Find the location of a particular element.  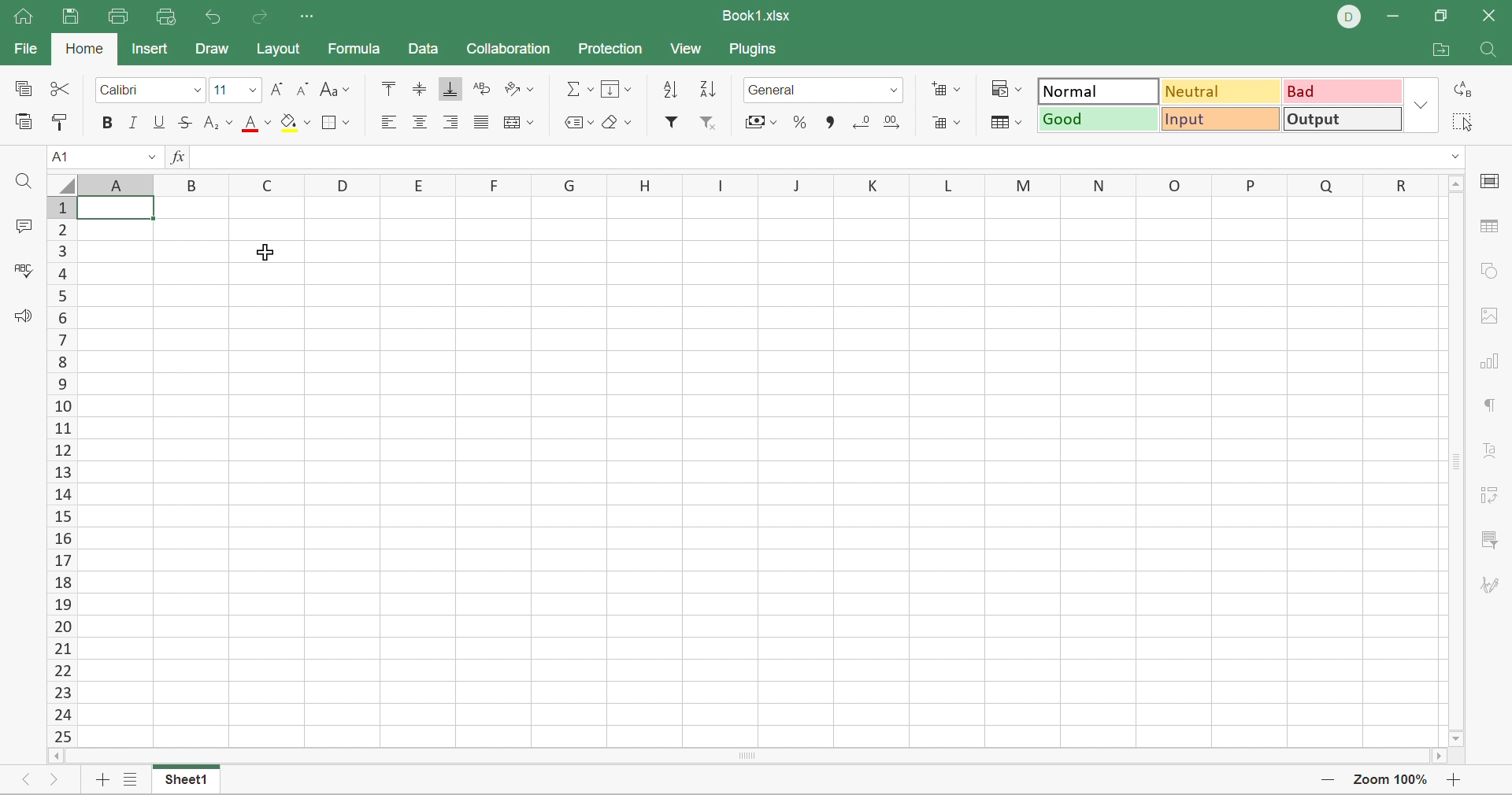

Close is located at coordinates (1490, 15).